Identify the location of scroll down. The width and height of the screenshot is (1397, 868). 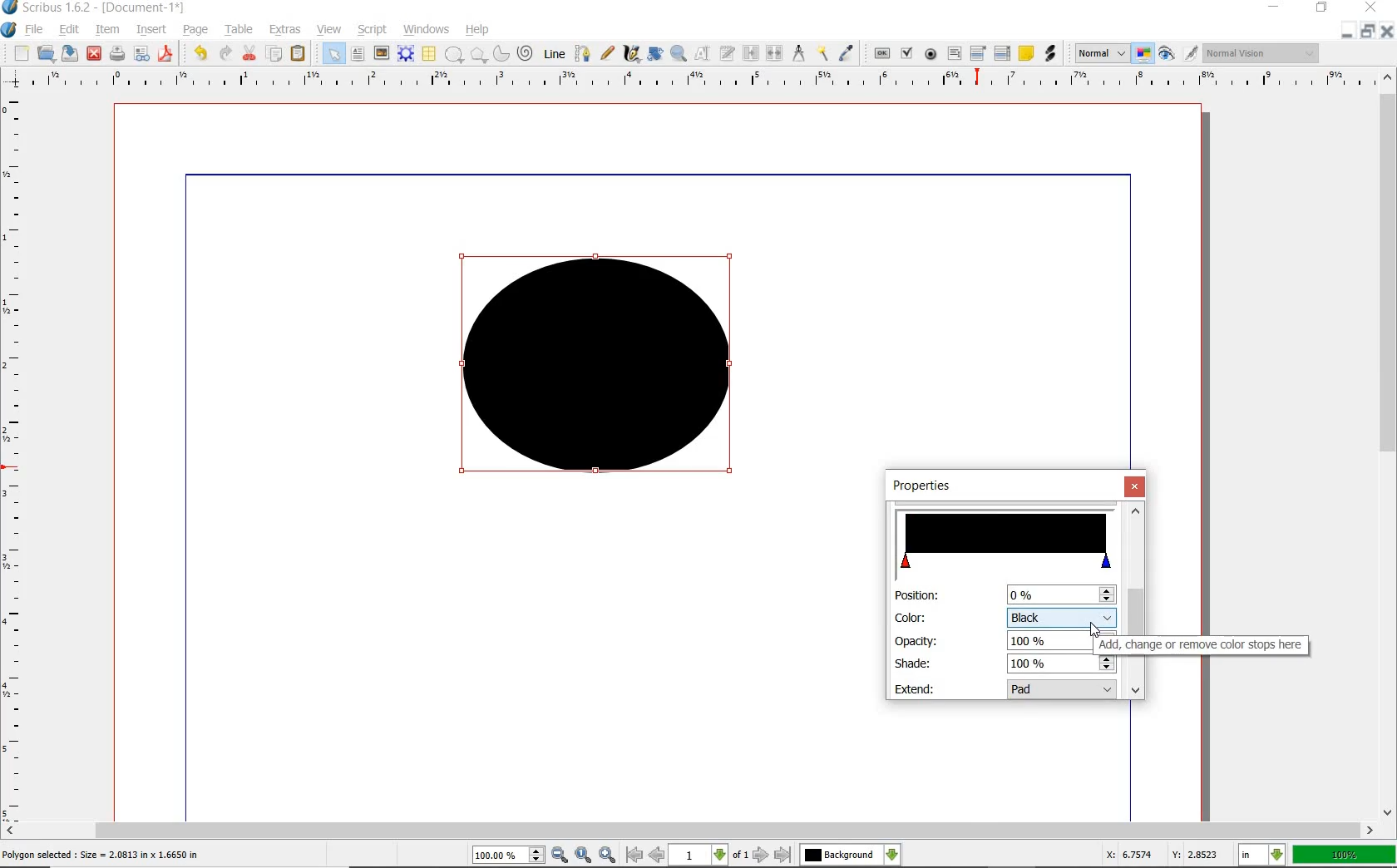
(1134, 691).